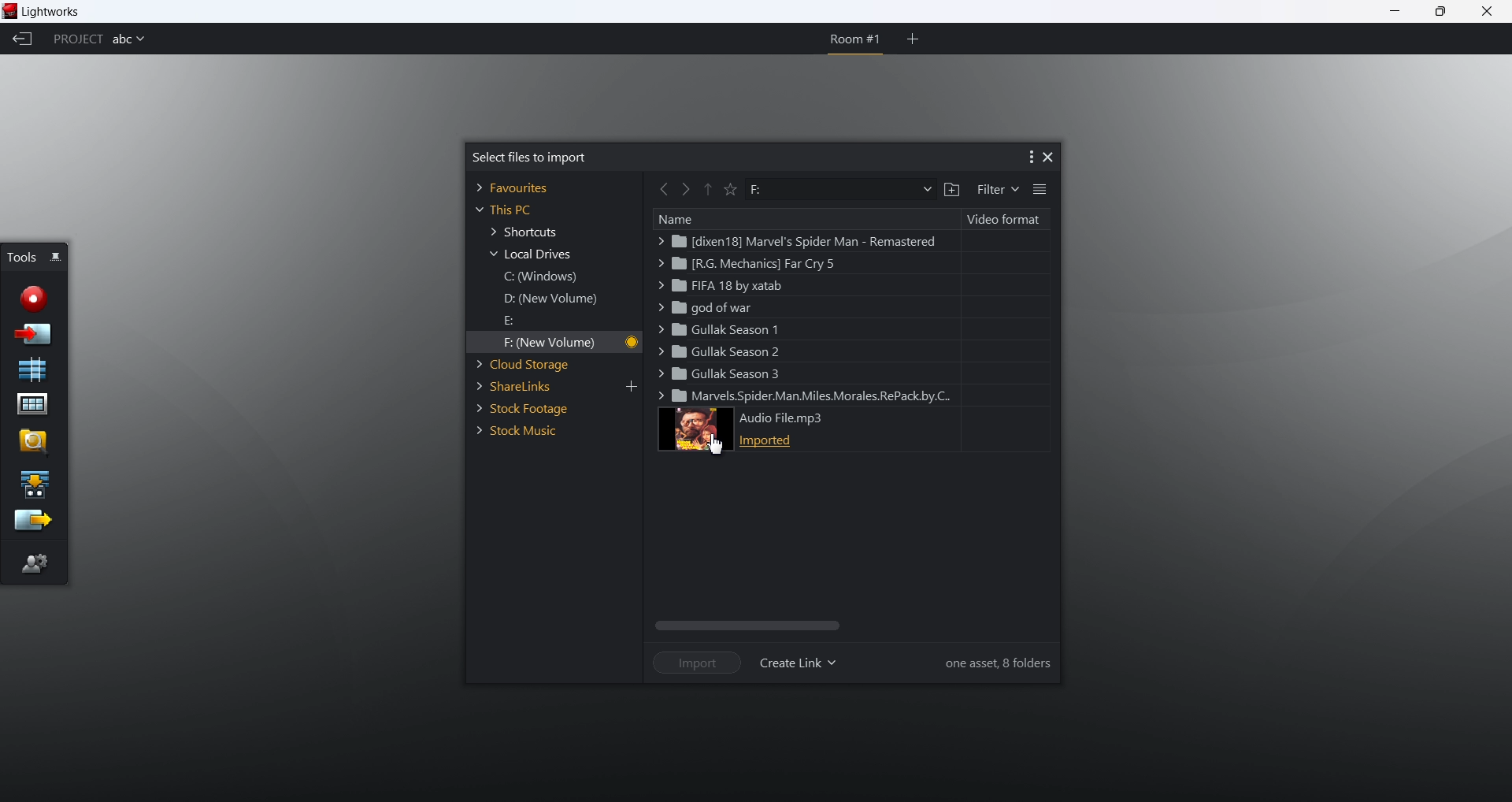 The image size is (1512, 802). What do you see at coordinates (540, 277) in the screenshot?
I see `C windows` at bounding box center [540, 277].